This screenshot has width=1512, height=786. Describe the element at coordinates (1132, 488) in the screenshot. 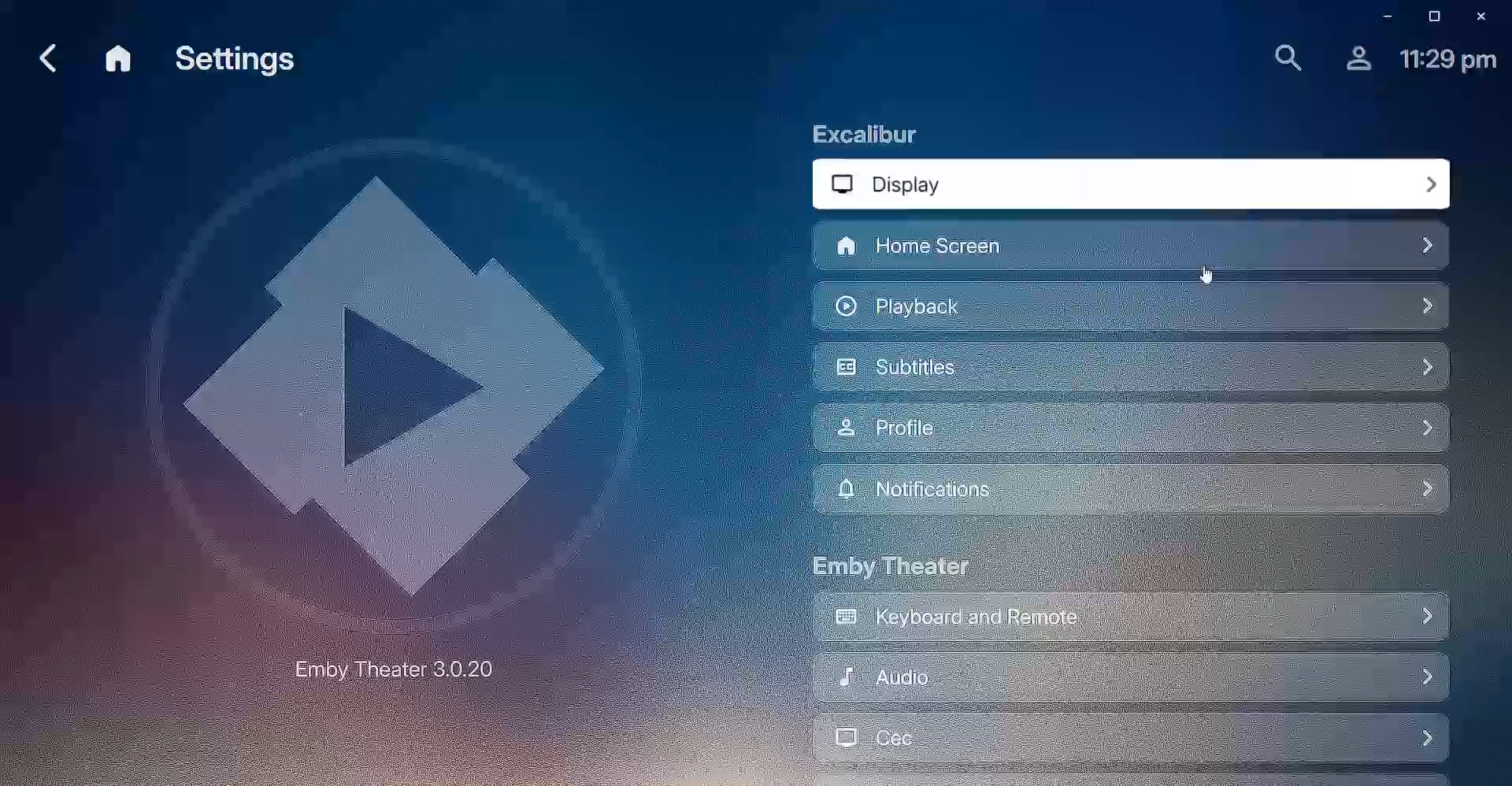

I see `Notifications` at that location.